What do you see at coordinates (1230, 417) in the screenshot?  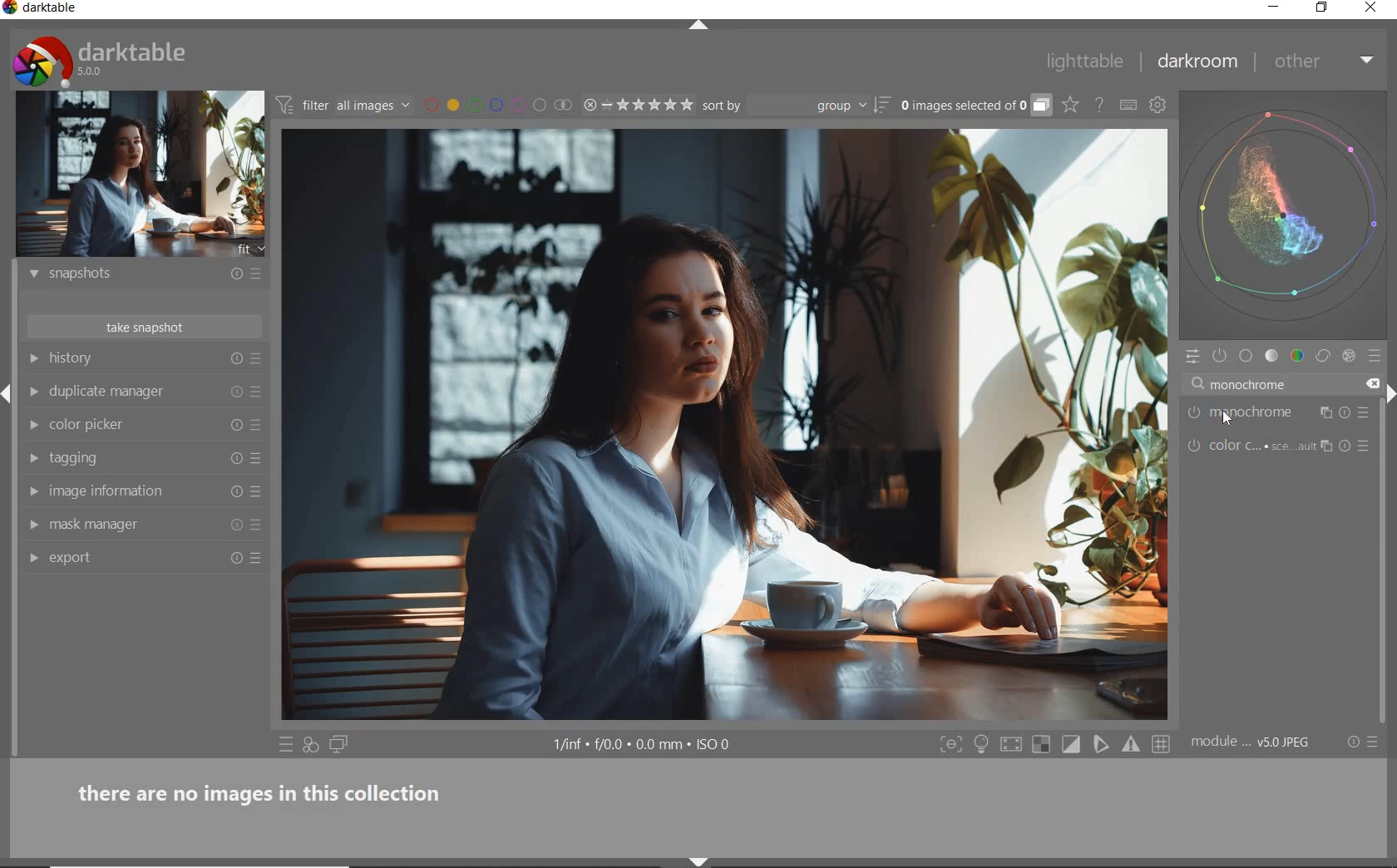 I see `Cursor` at bounding box center [1230, 417].